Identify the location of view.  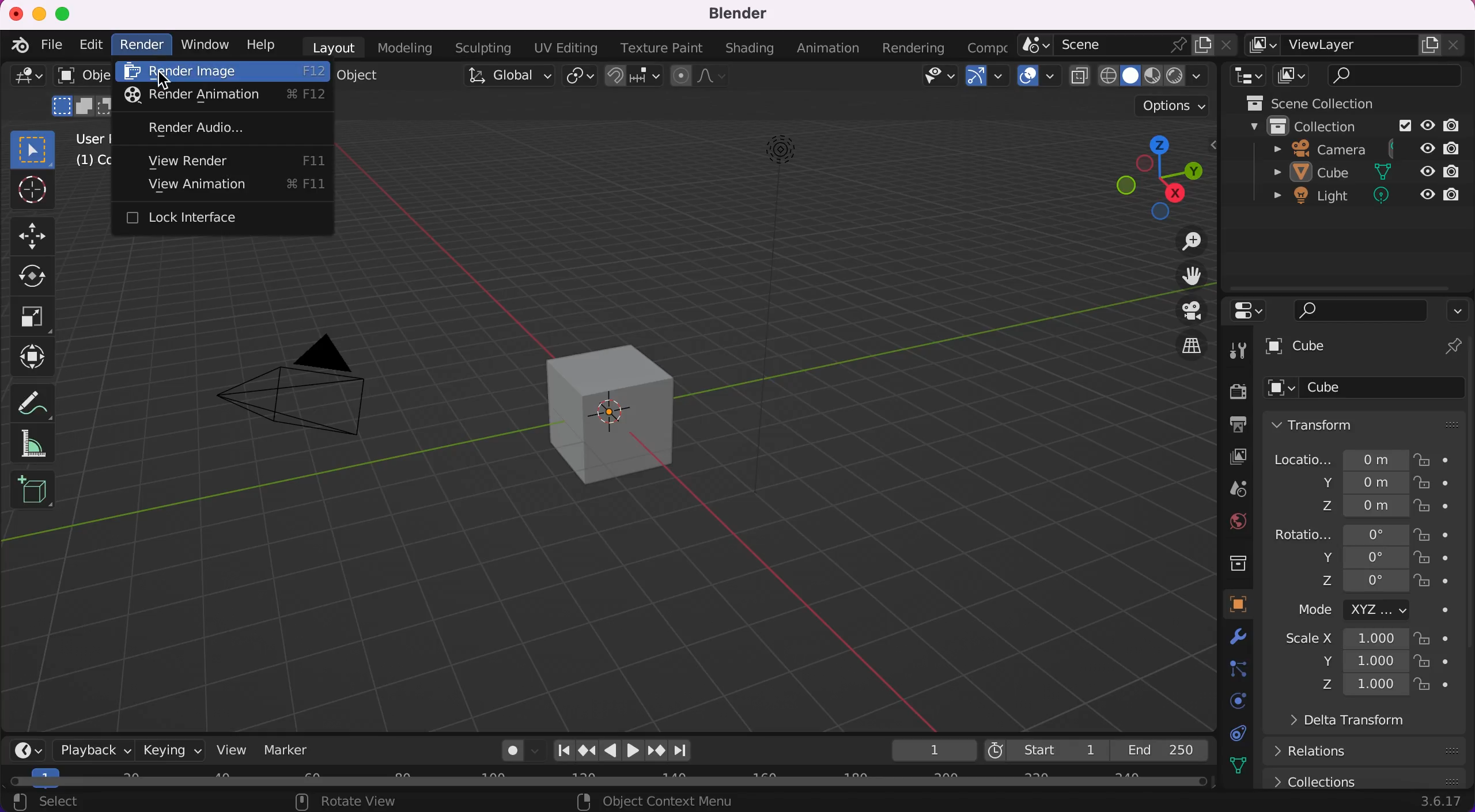
(232, 749).